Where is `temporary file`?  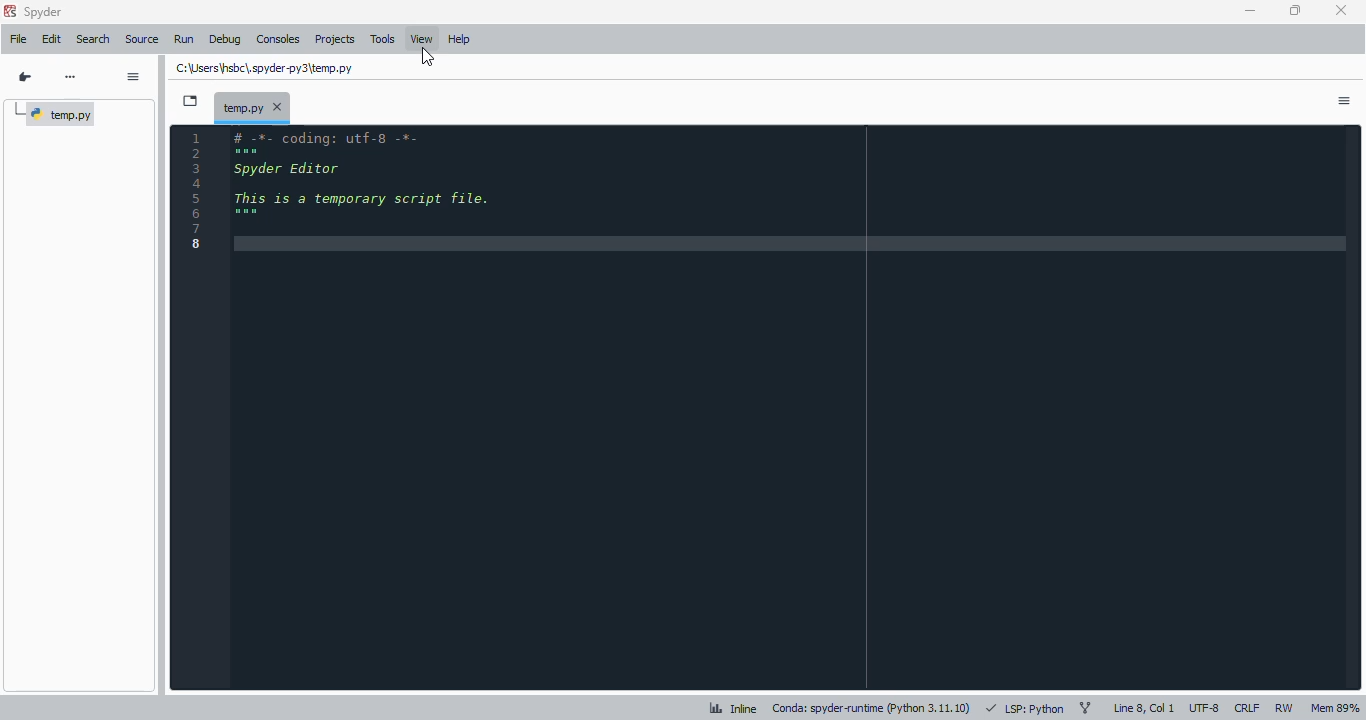
temporary file is located at coordinates (254, 107).